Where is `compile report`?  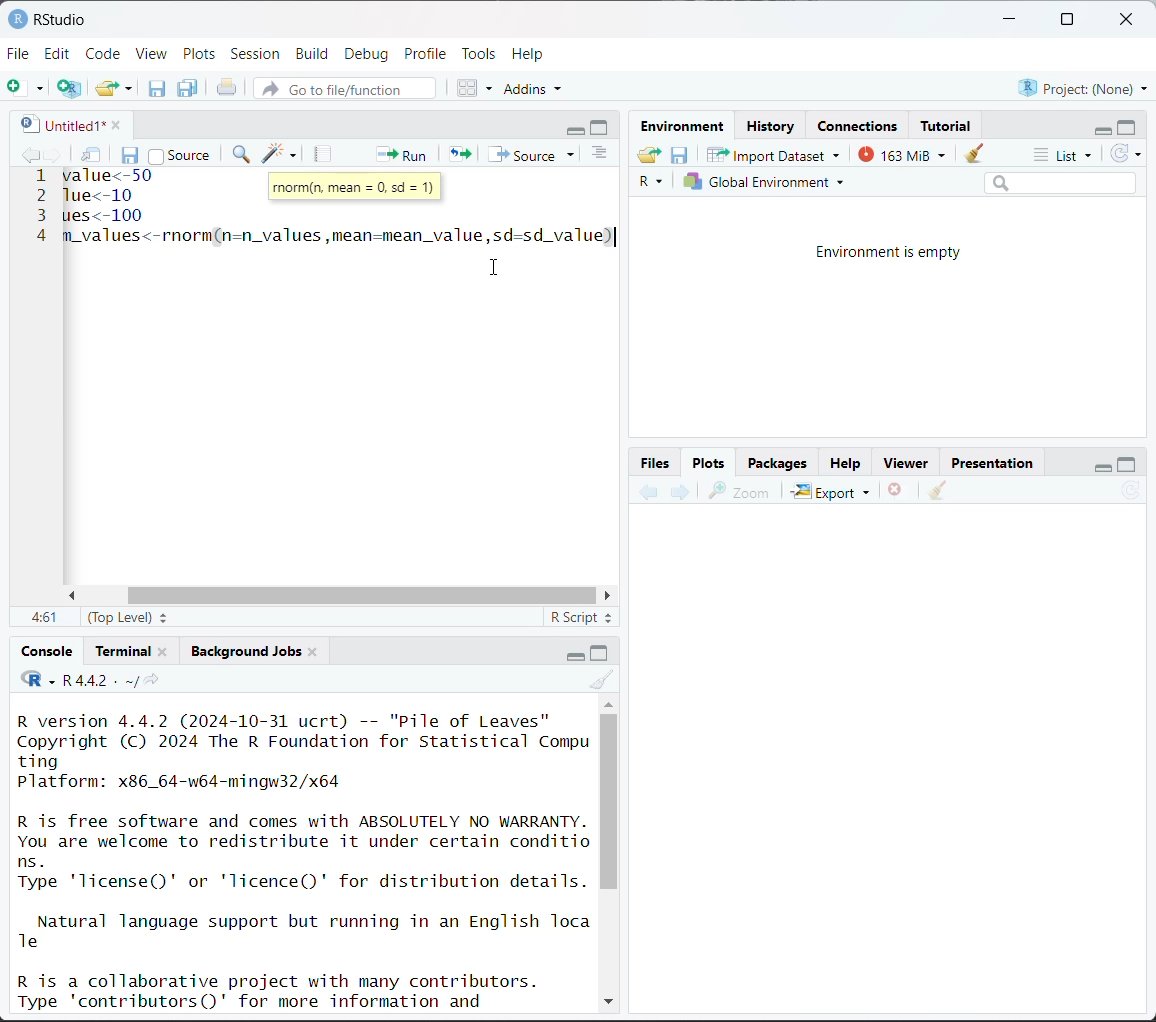 compile report is located at coordinates (325, 154).